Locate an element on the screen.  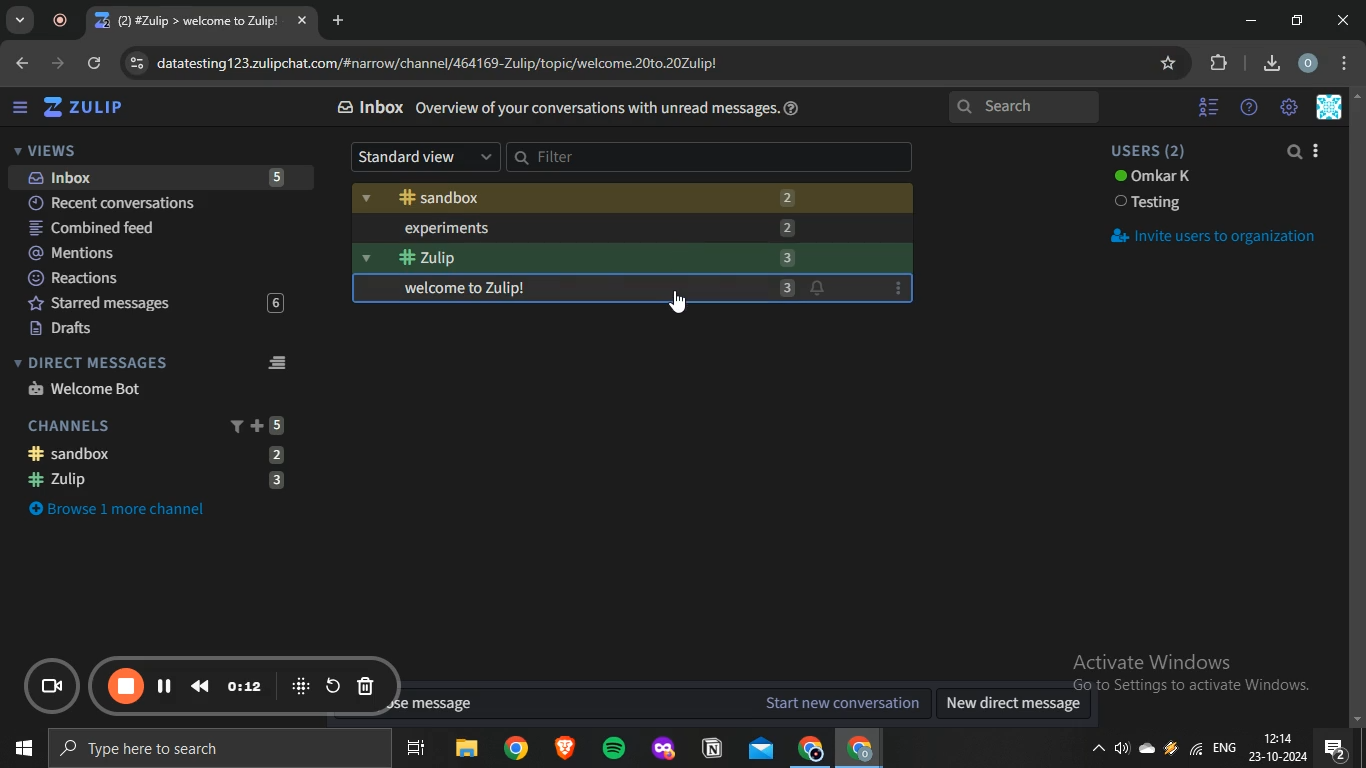
welcome to zulip! is located at coordinates (584, 290).